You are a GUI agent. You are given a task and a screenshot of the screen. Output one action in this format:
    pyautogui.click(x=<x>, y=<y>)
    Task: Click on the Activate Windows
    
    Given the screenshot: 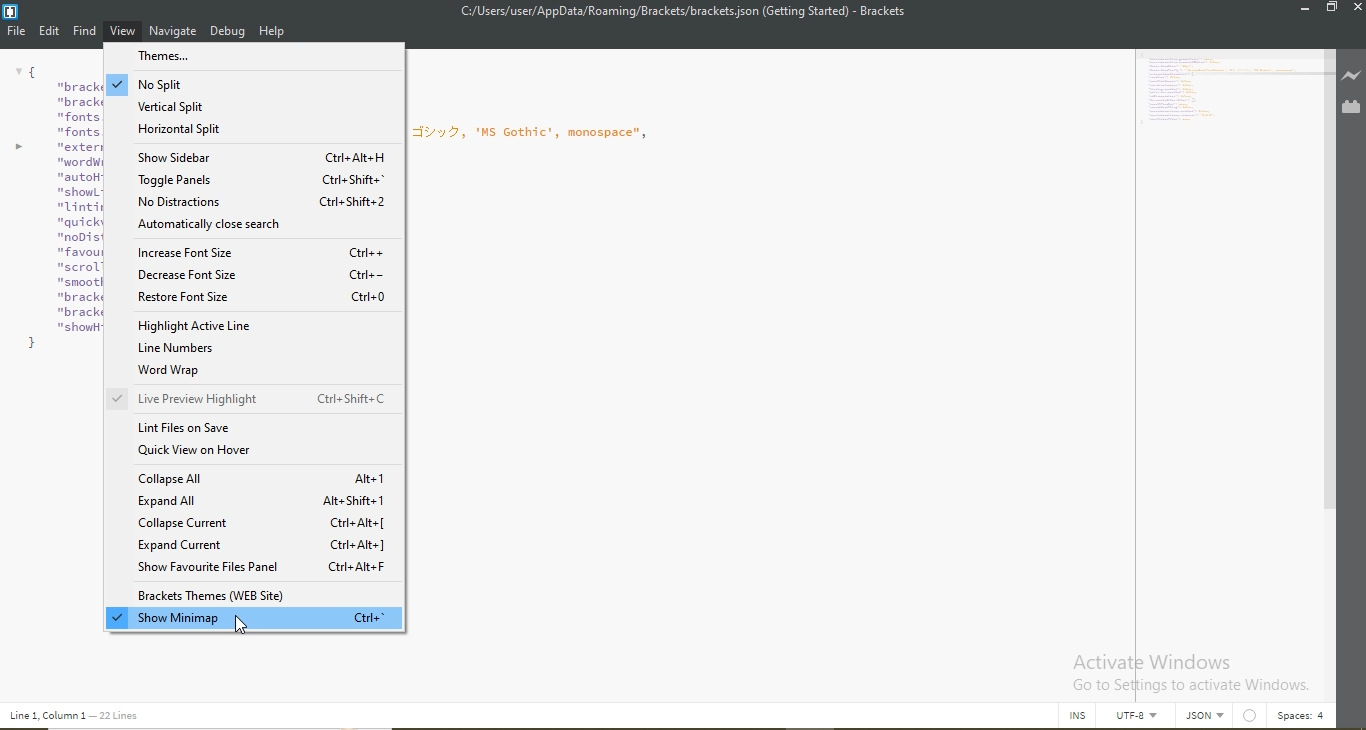 What is the action you would take?
    pyautogui.click(x=1188, y=672)
    